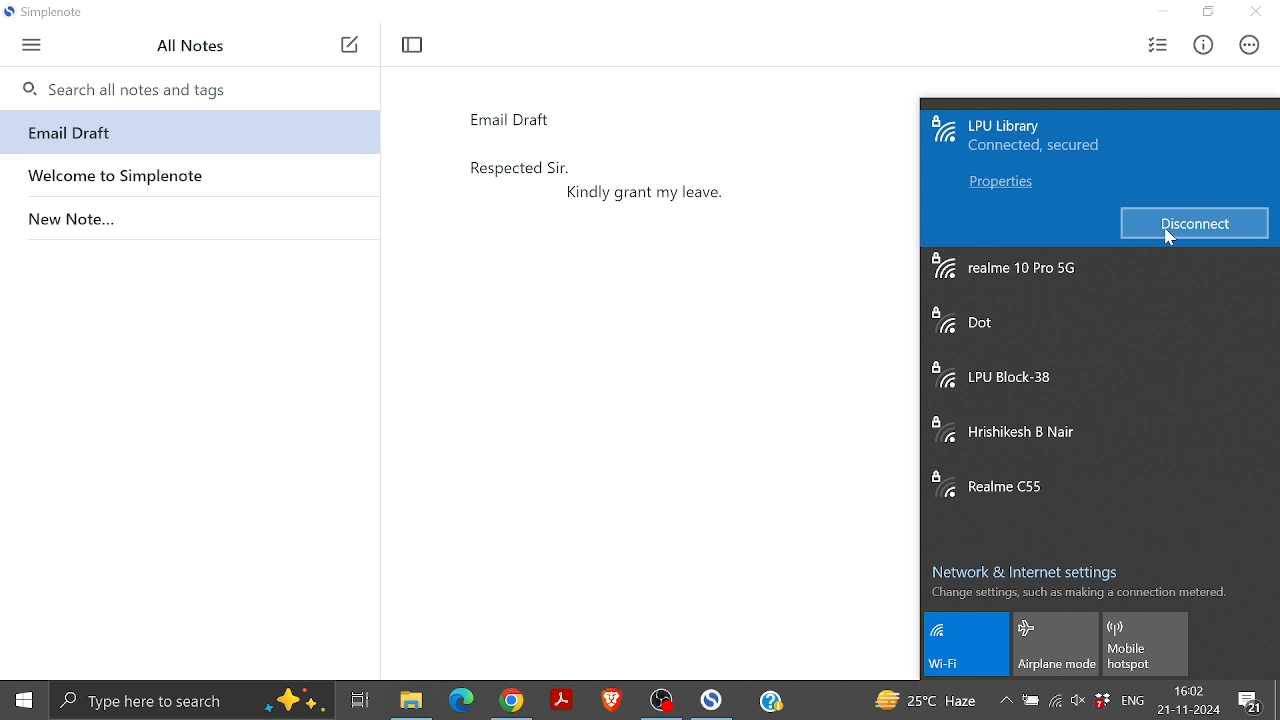 The width and height of the screenshot is (1280, 720). I want to click on Note titled "Email Draft", so click(185, 133).